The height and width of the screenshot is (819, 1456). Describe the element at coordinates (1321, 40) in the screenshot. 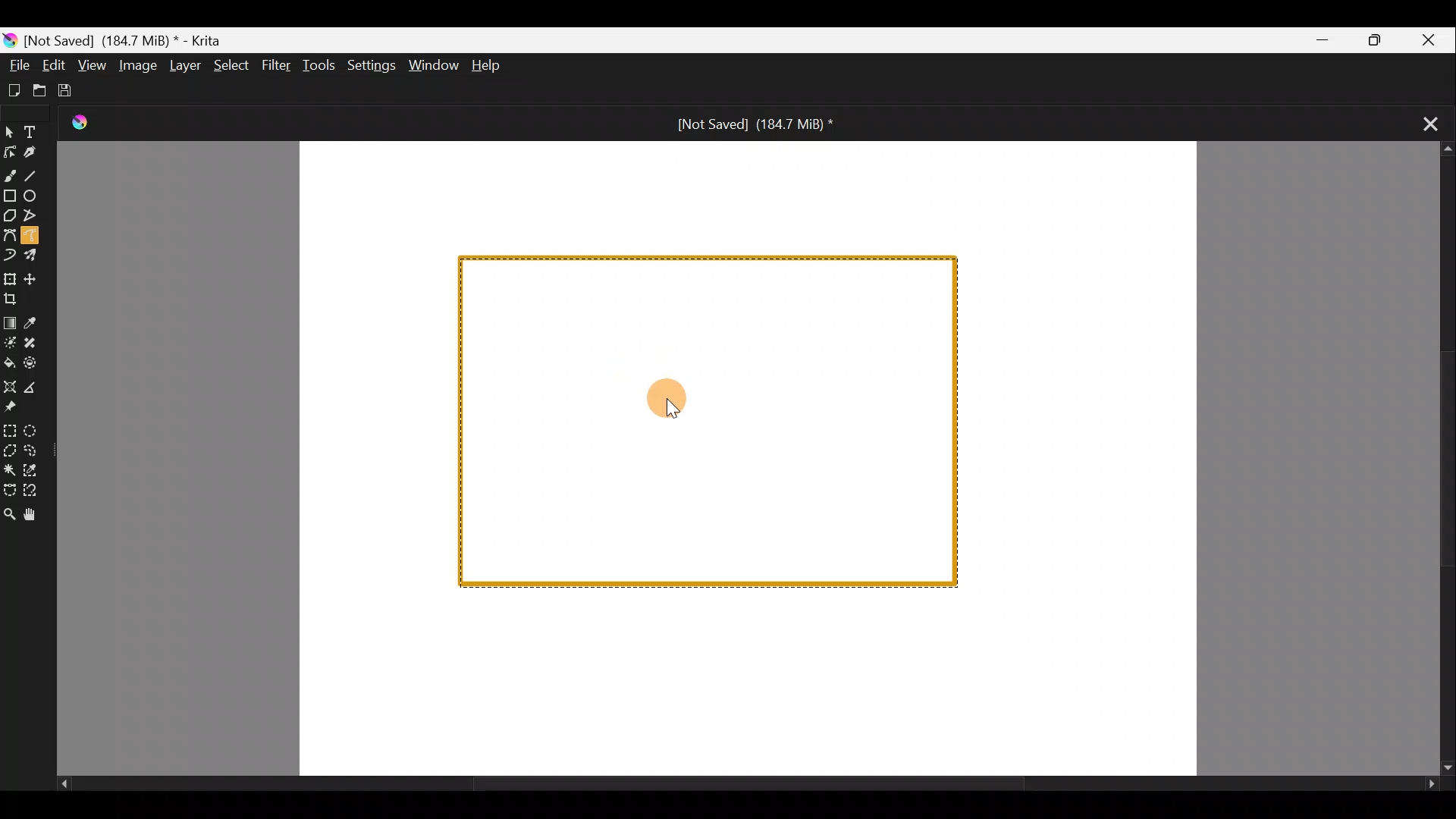

I see `Minimize` at that location.